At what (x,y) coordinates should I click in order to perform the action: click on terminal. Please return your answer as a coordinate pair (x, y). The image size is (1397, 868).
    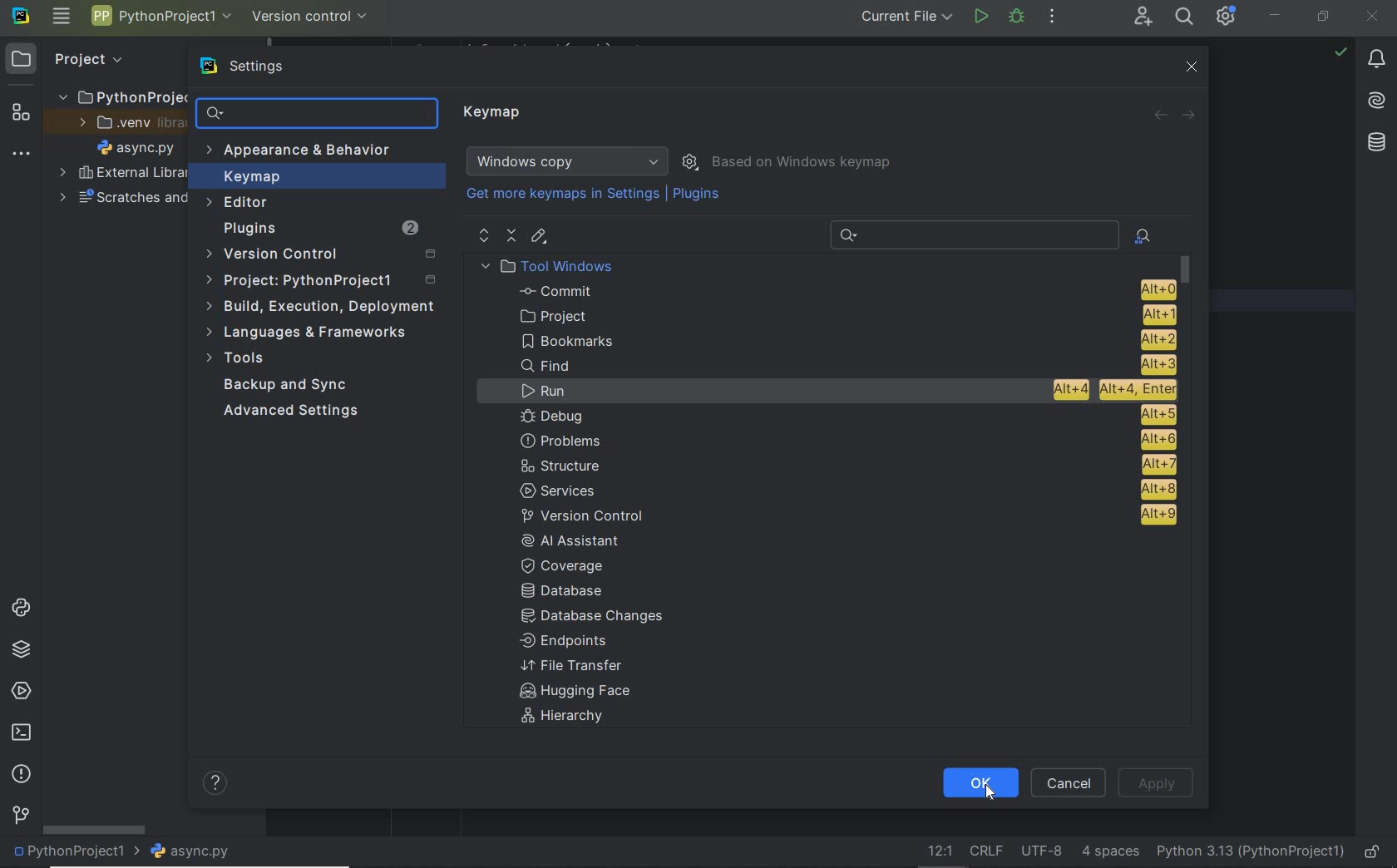
    Looking at the image, I should click on (20, 733).